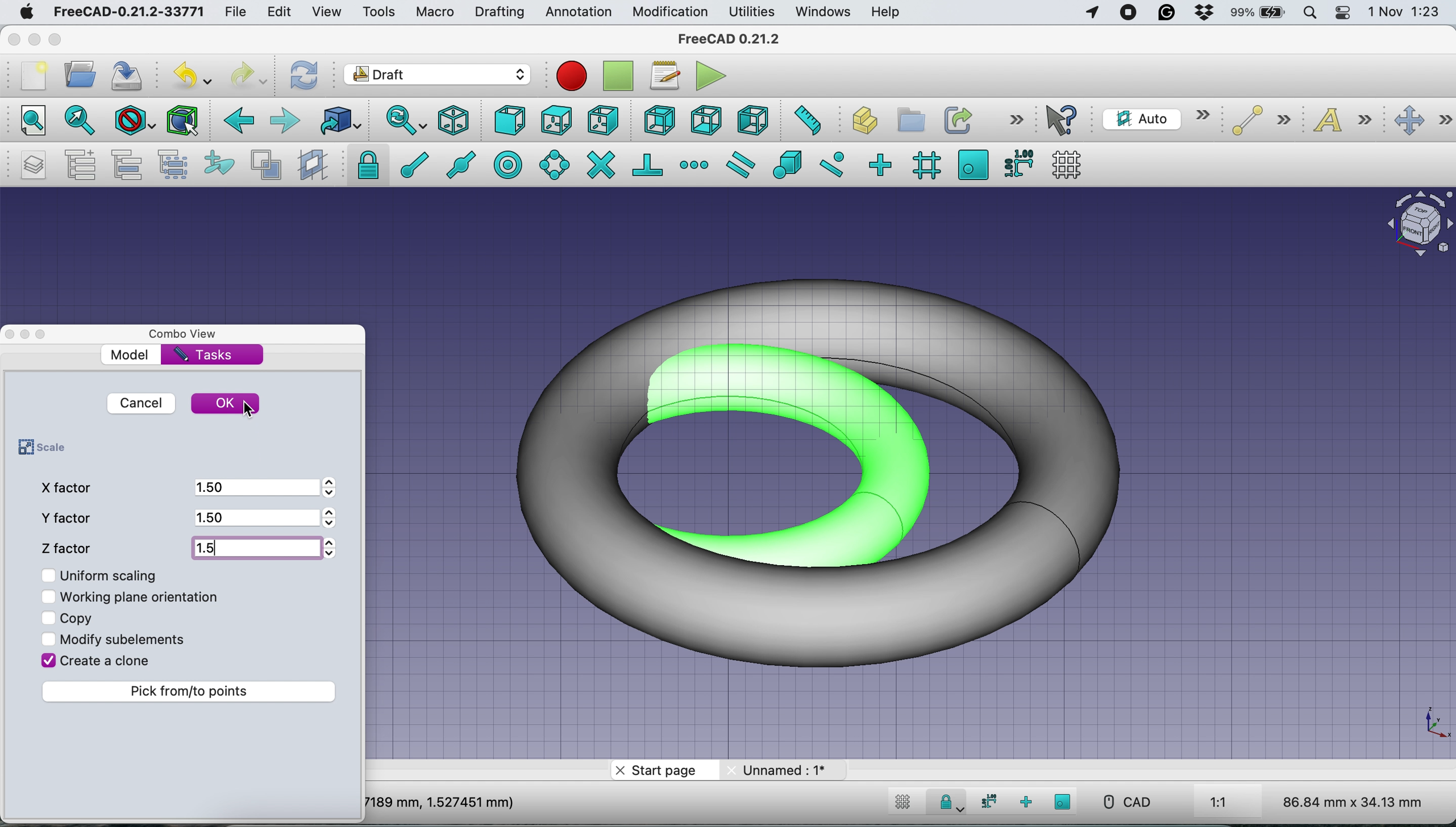  I want to click on fit all, so click(30, 122).